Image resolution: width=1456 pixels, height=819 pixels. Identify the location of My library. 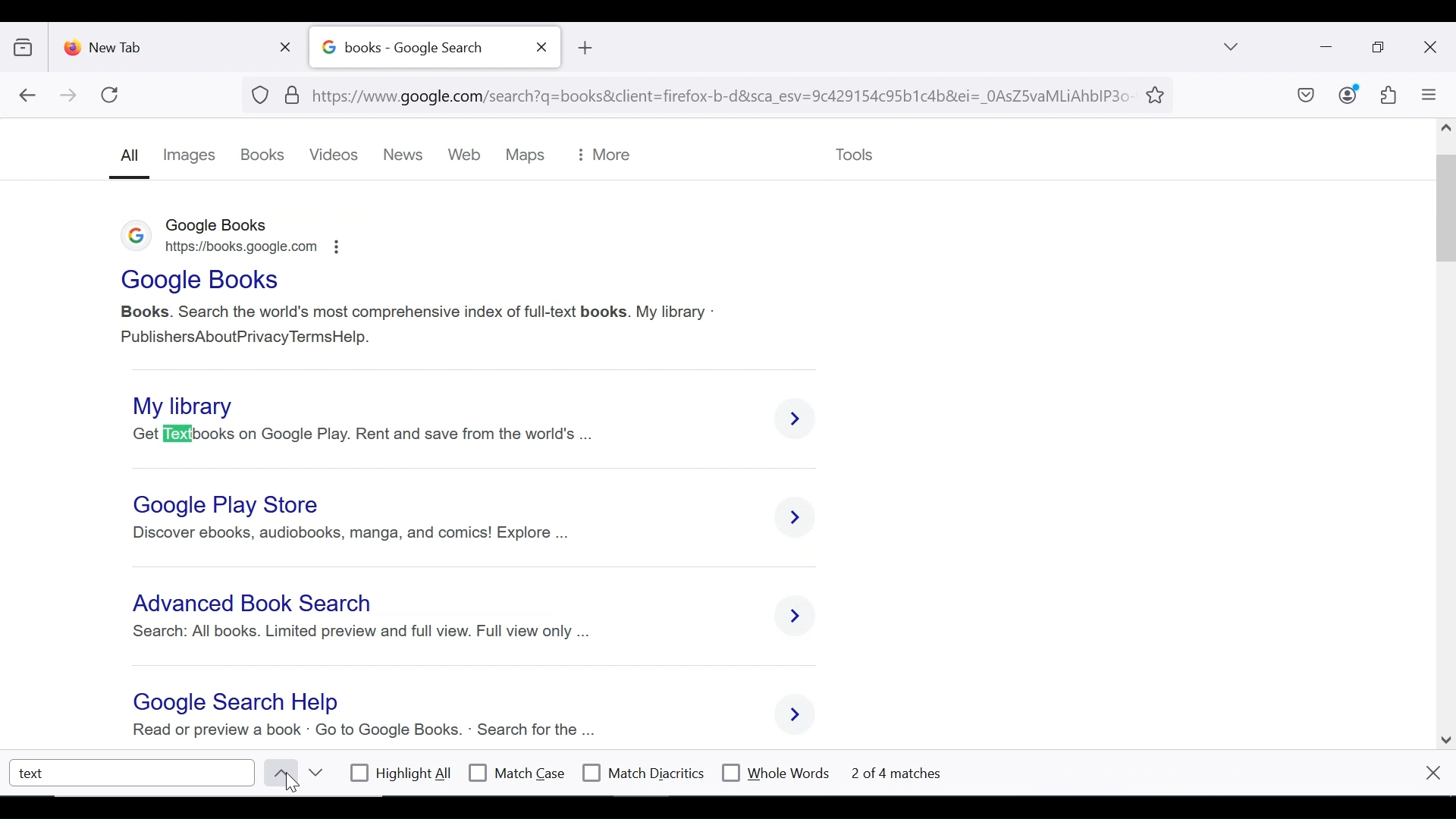
(191, 404).